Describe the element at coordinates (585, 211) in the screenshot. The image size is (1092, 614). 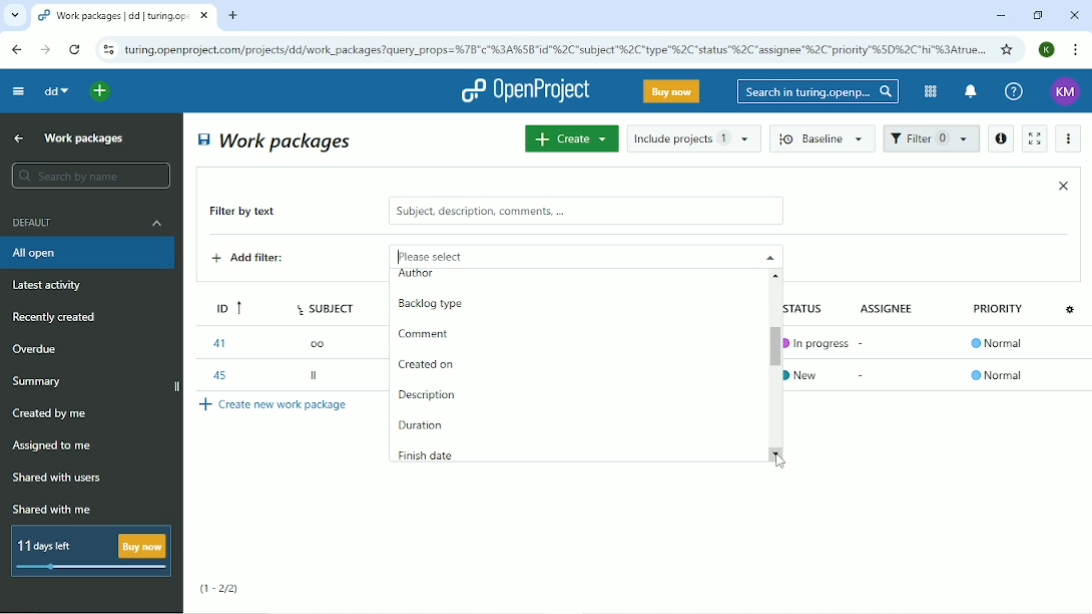
I see `subject, description, comments` at that location.